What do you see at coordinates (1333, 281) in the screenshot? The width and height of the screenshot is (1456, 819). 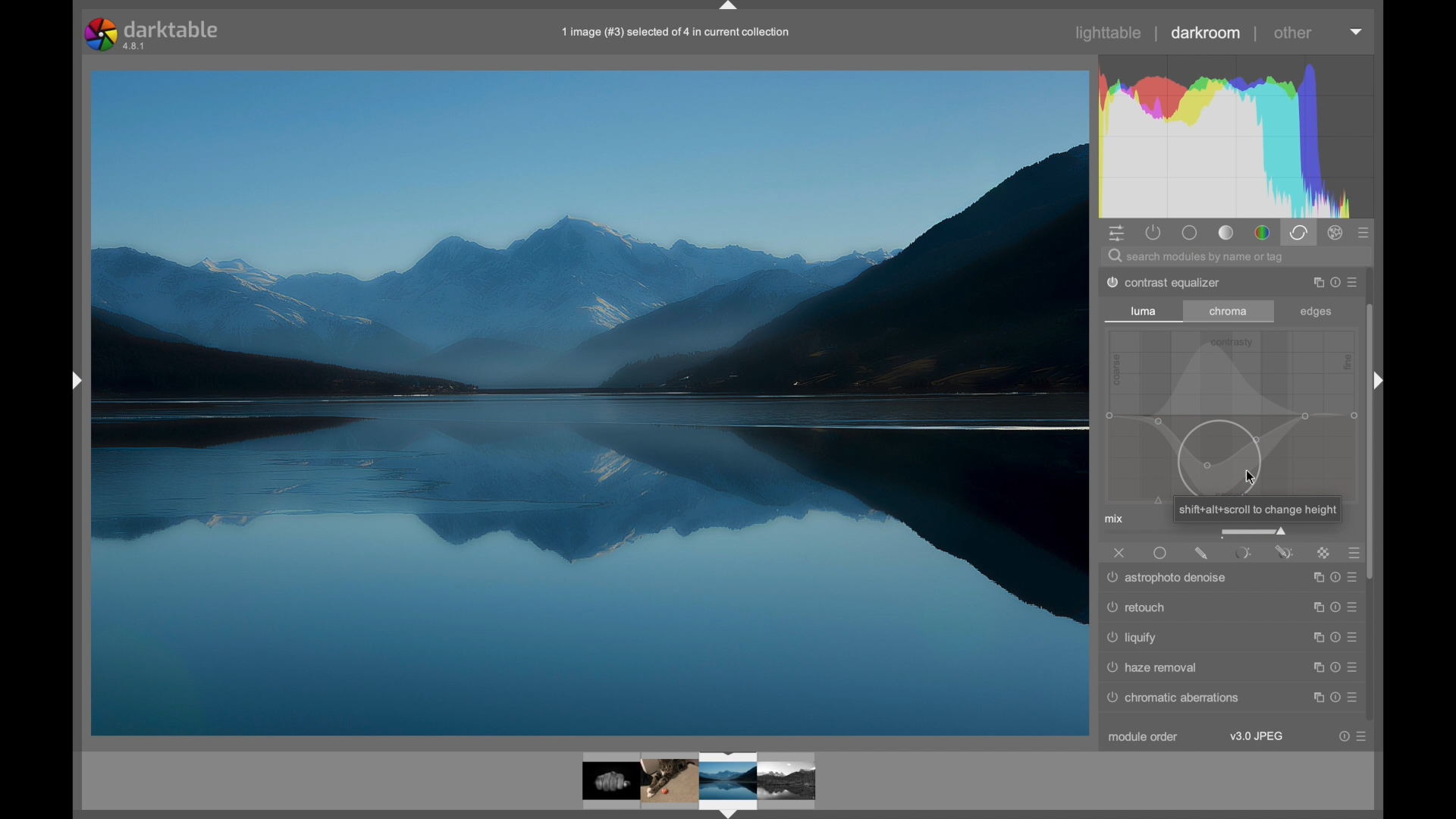 I see `more options` at bounding box center [1333, 281].